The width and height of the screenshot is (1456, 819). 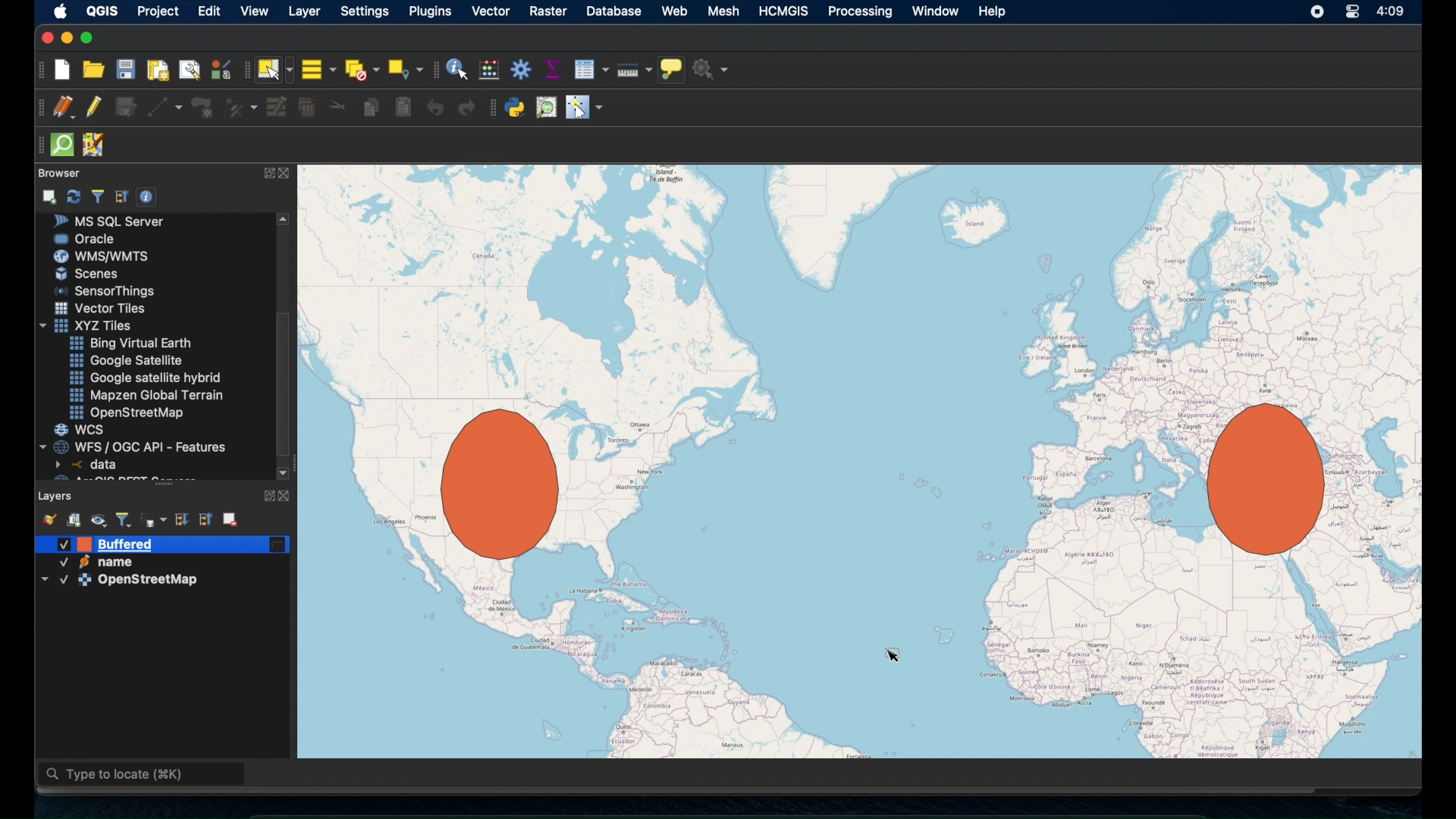 What do you see at coordinates (63, 70) in the screenshot?
I see `new project` at bounding box center [63, 70].